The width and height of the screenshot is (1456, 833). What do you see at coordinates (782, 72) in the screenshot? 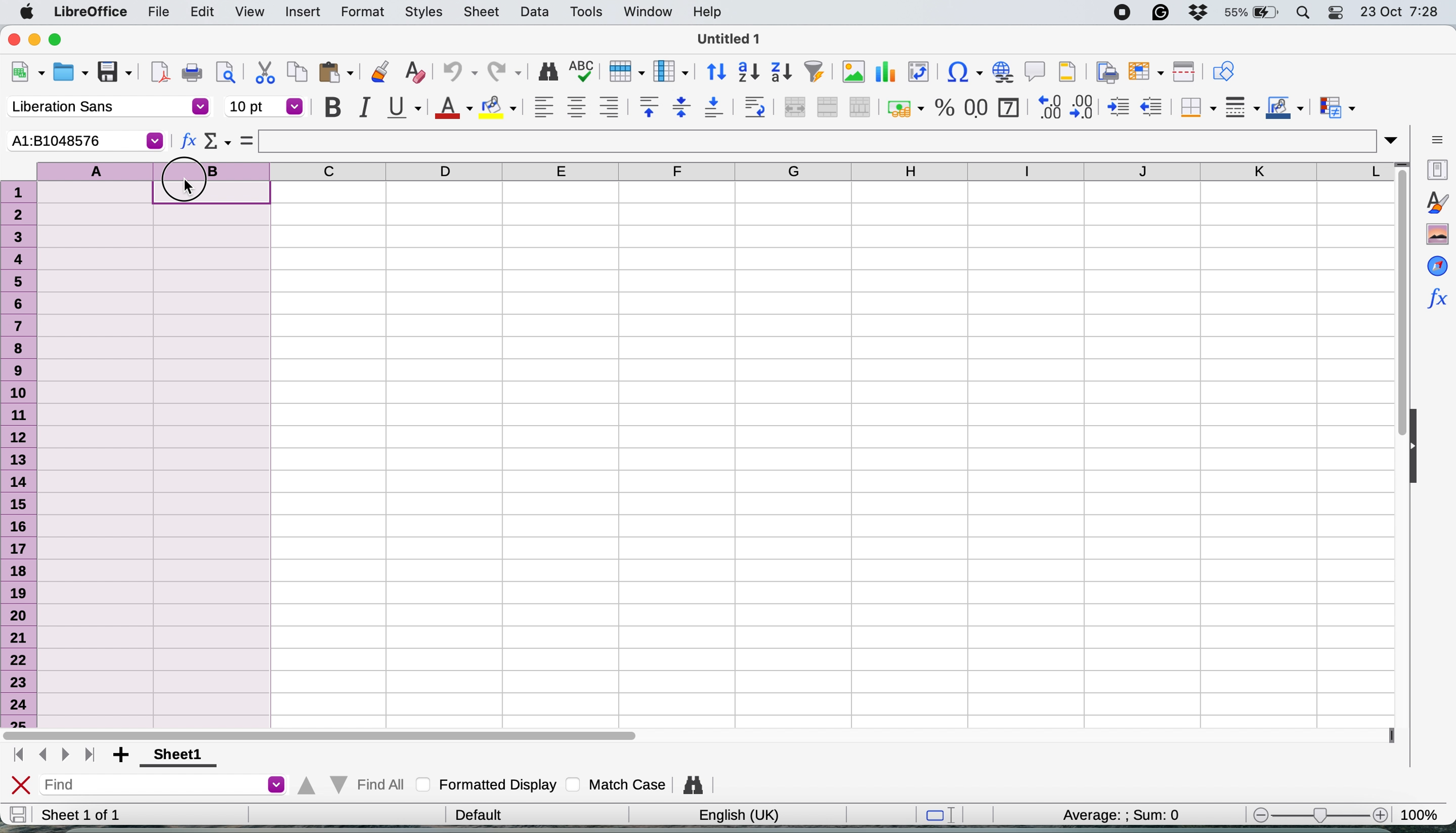
I see `sort descending` at bounding box center [782, 72].